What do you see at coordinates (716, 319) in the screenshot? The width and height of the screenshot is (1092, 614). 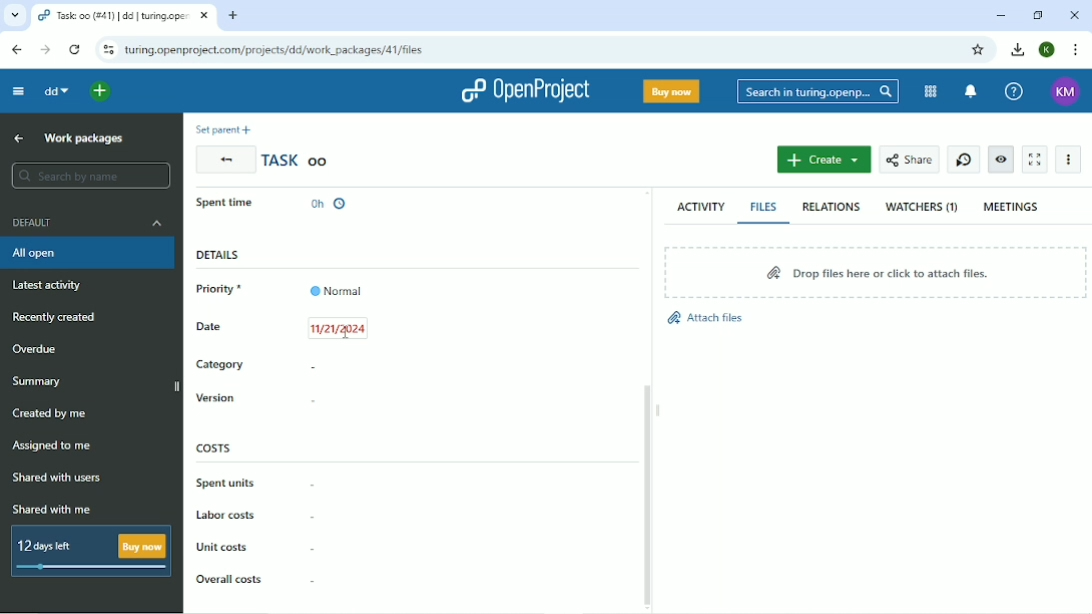 I see `Attach files` at bounding box center [716, 319].